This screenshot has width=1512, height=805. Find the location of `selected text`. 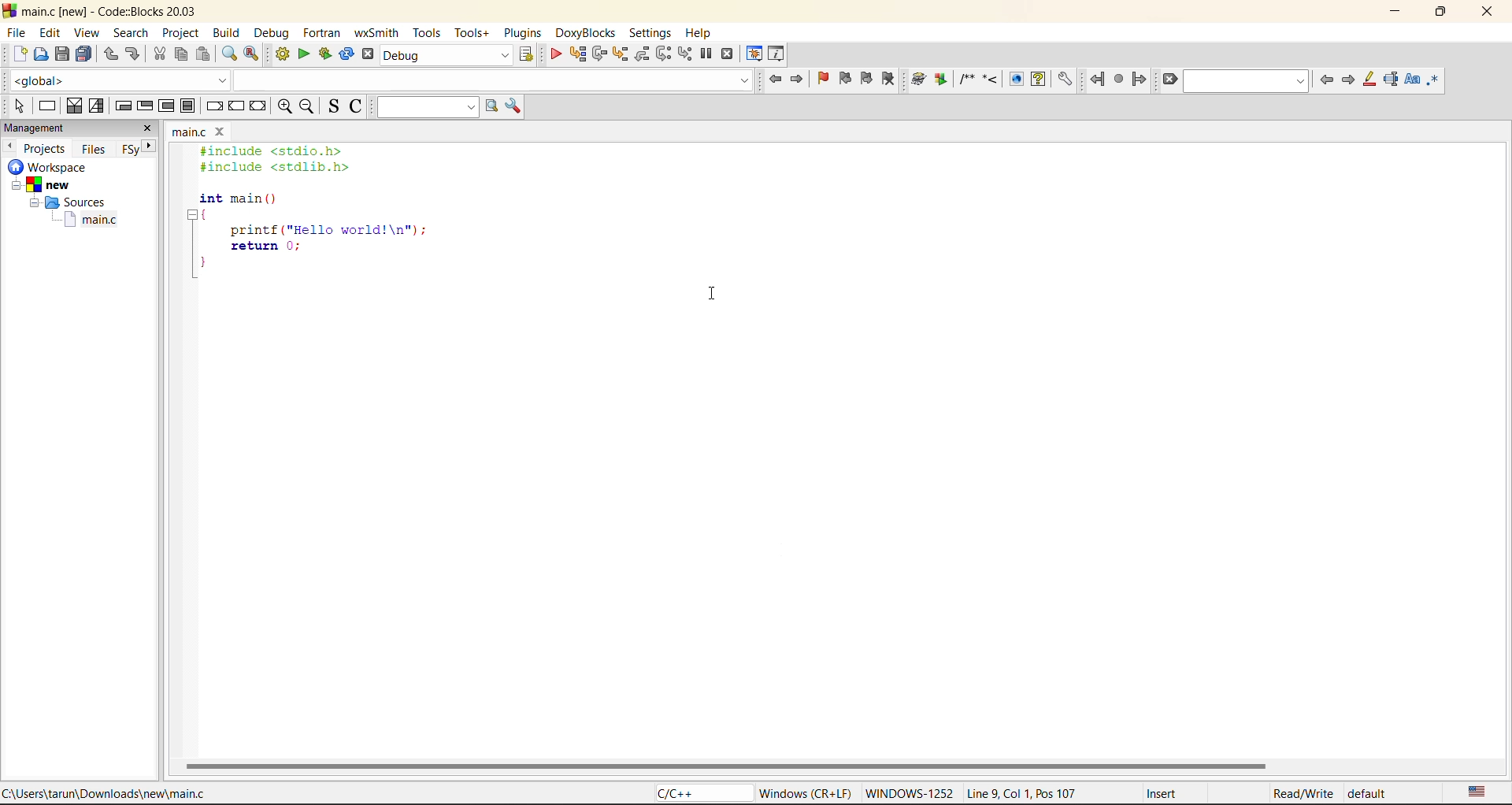

selected text is located at coordinates (1393, 79).